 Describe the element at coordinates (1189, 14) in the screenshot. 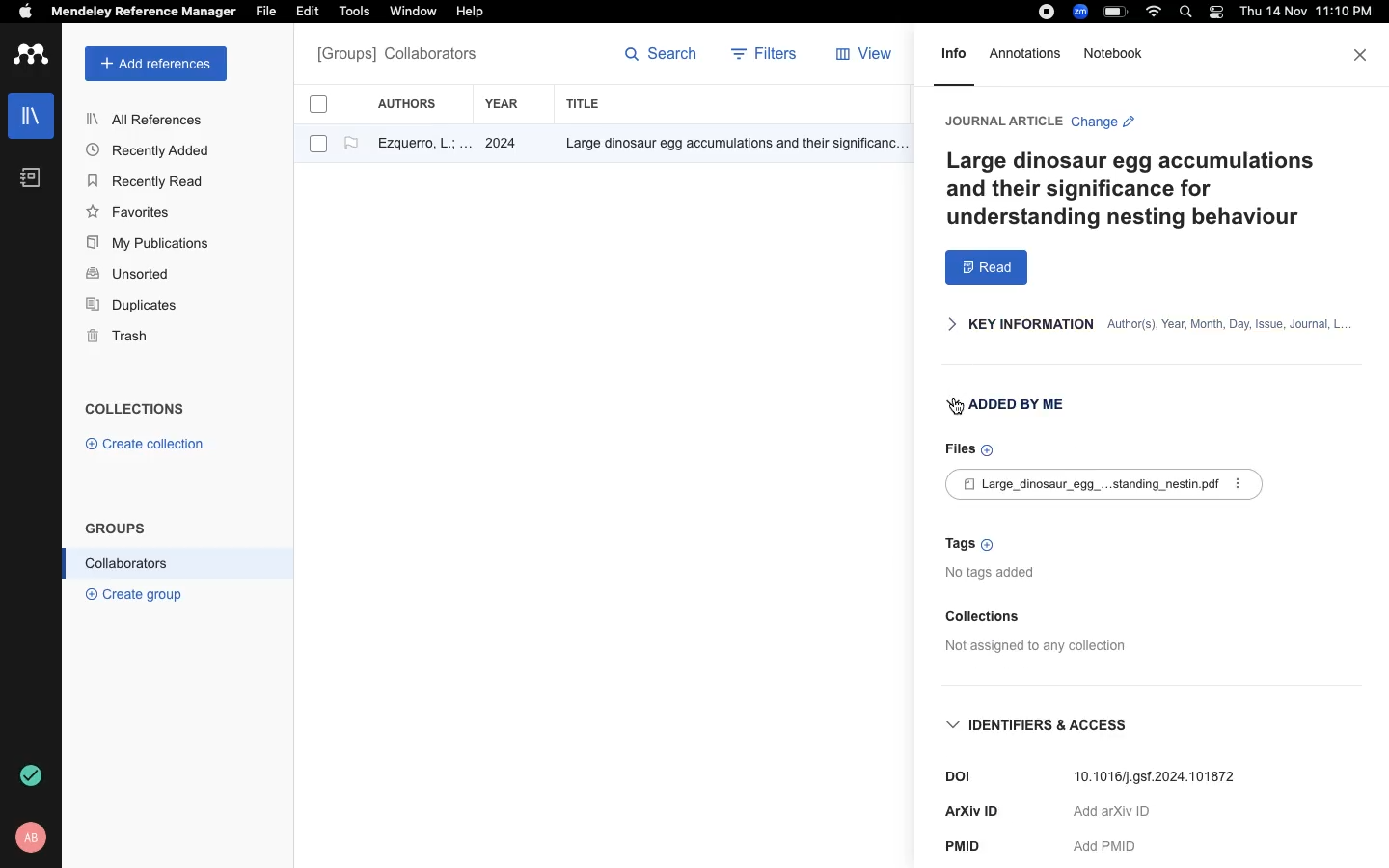

I see `search` at that location.